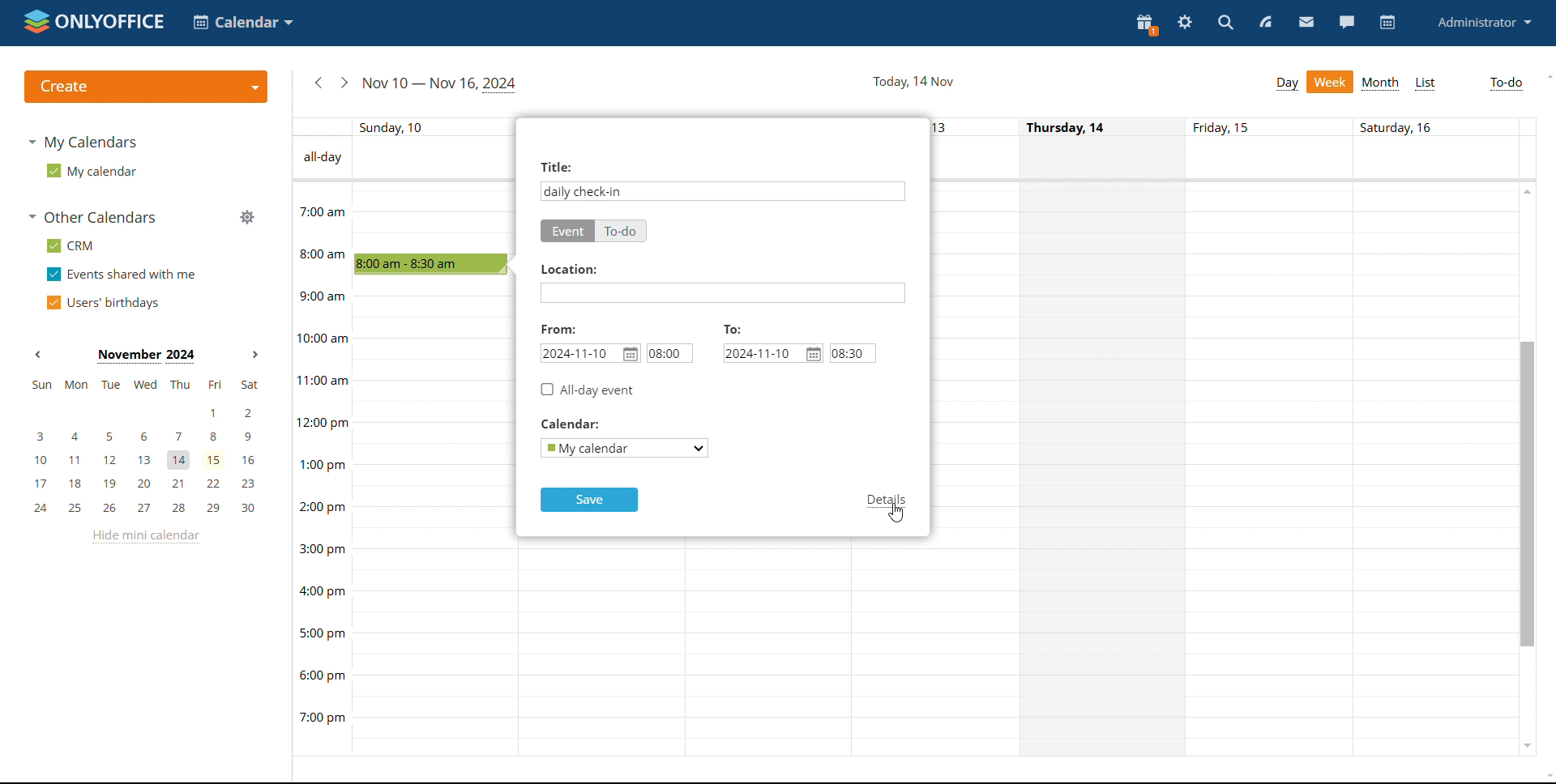 The image size is (1556, 784). What do you see at coordinates (1346, 21) in the screenshot?
I see `chat` at bounding box center [1346, 21].